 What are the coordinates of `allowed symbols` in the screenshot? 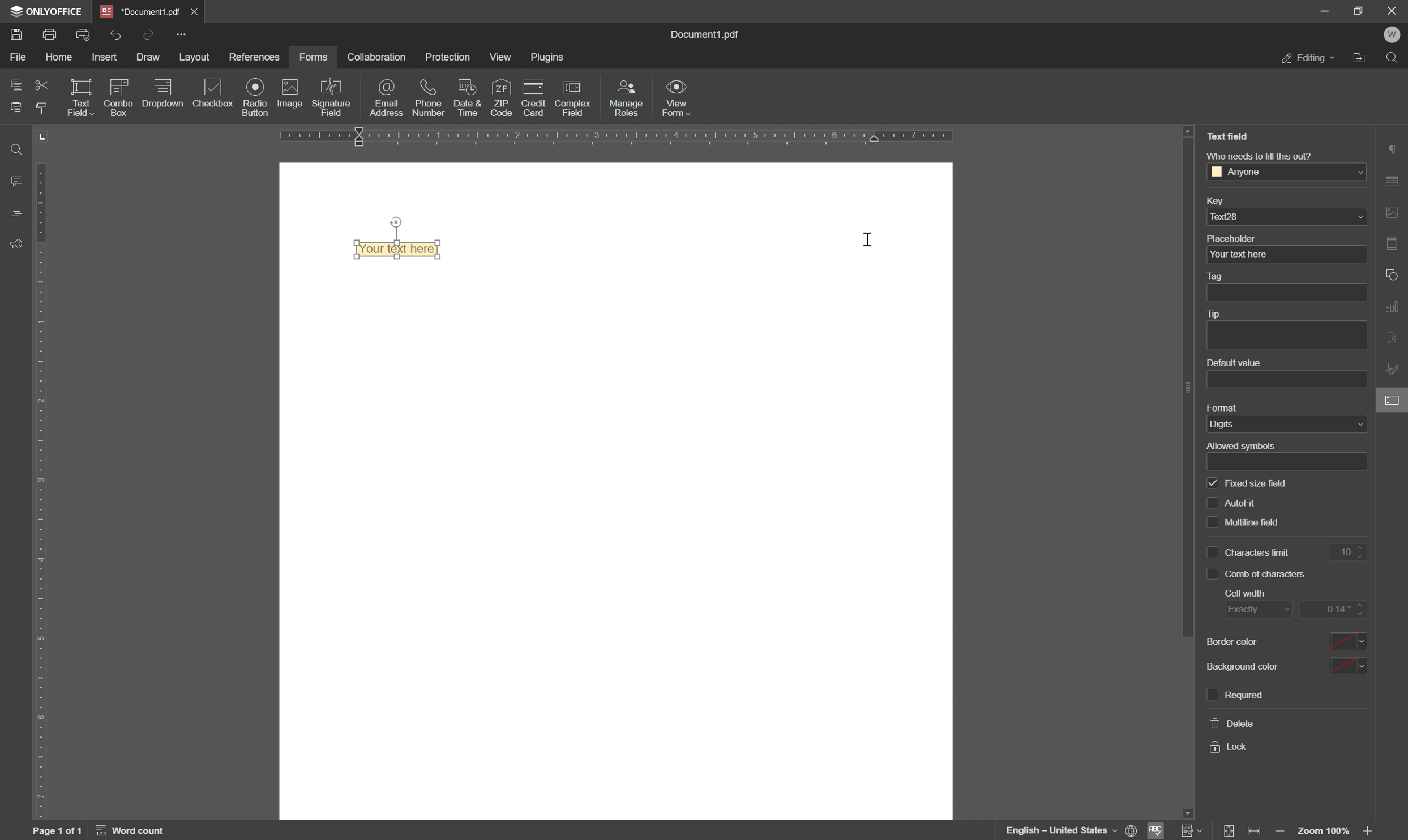 It's located at (1244, 444).